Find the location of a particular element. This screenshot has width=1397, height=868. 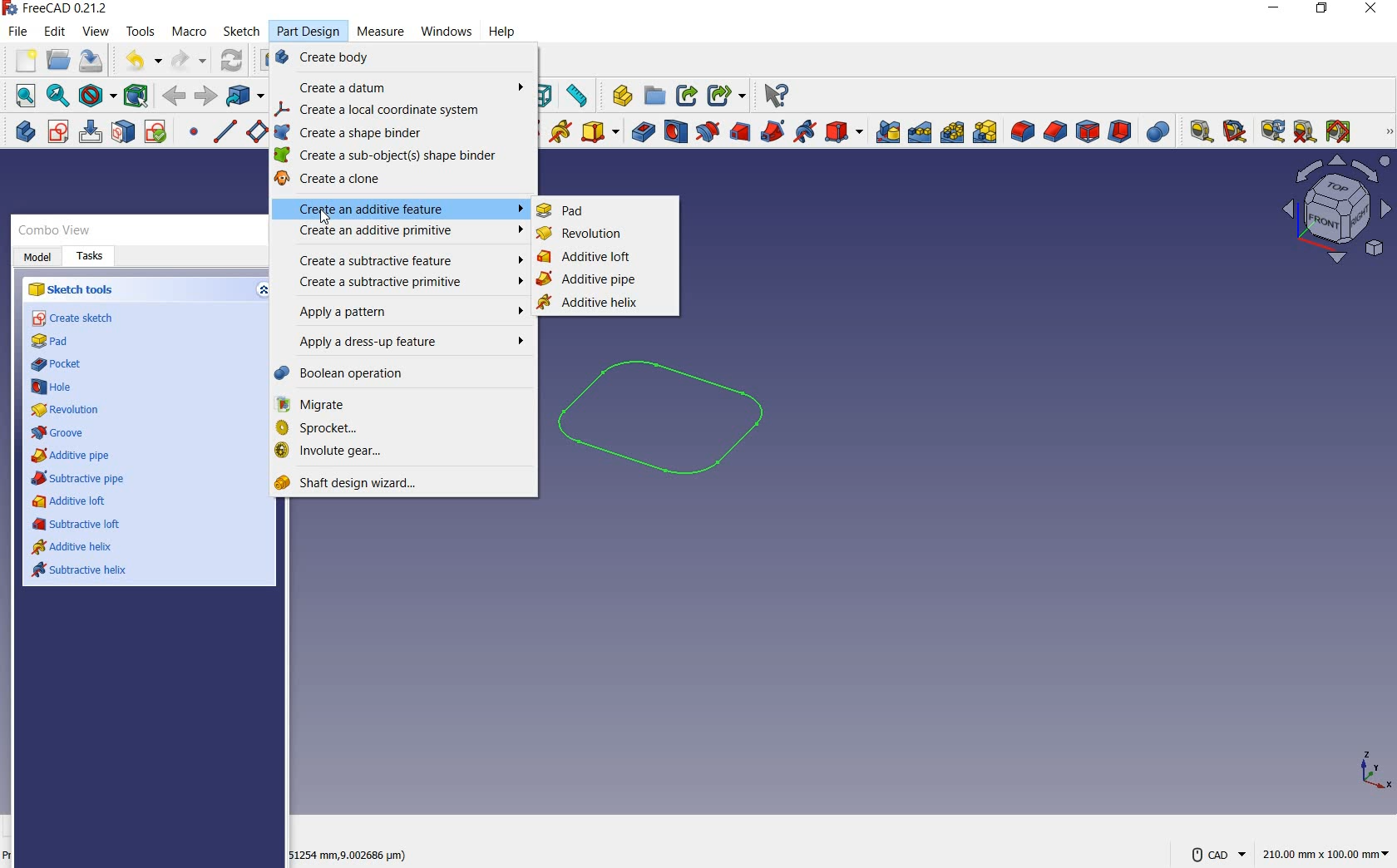

xyz points is located at coordinates (1377, 774).